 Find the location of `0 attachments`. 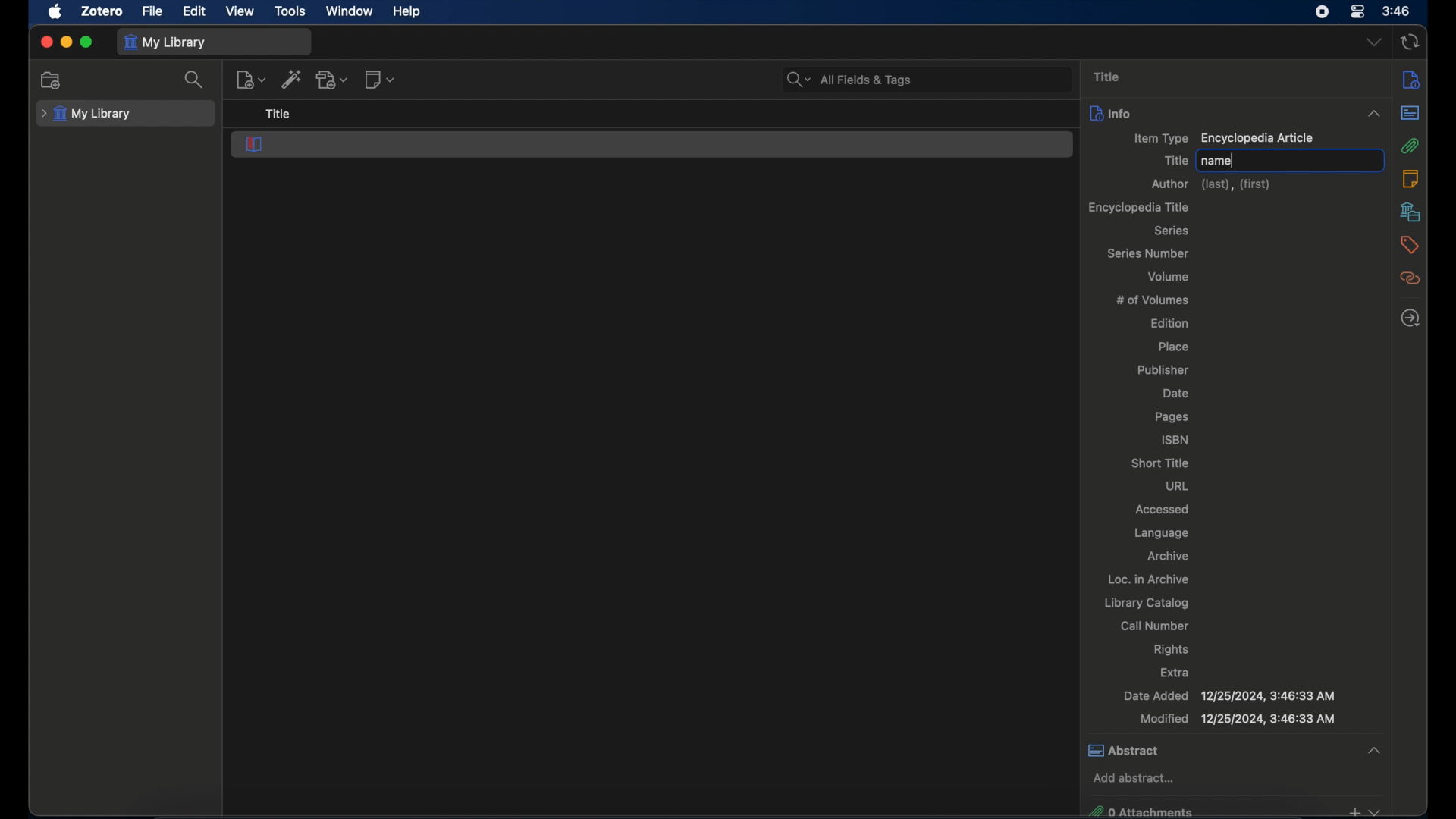

0 attachments is located at coordinates (1235, 809).